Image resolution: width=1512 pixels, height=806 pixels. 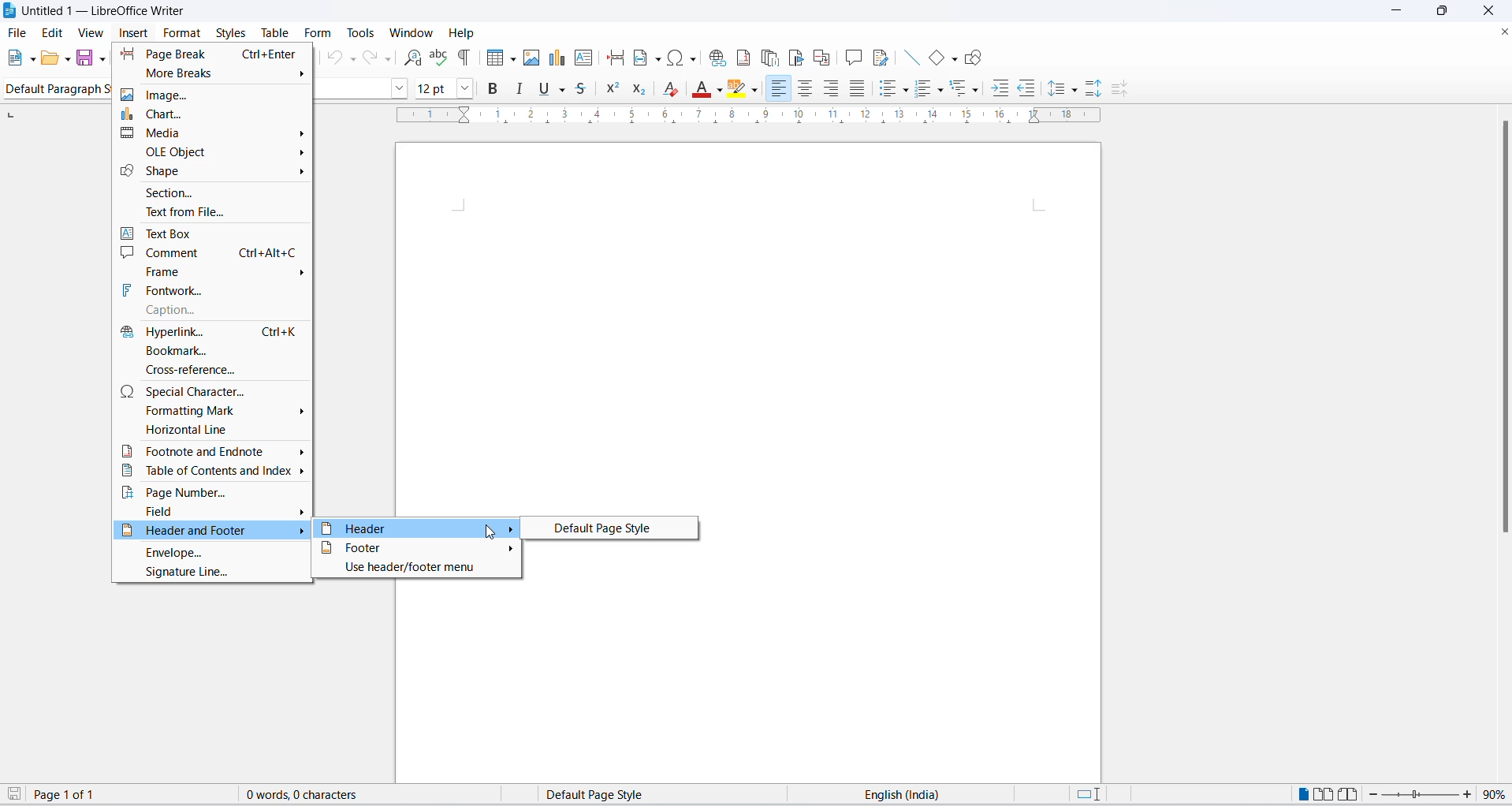 What do you see at coordinates (15, 58) in the screenshot?
I see `new file` at bounding box center [15, 58].